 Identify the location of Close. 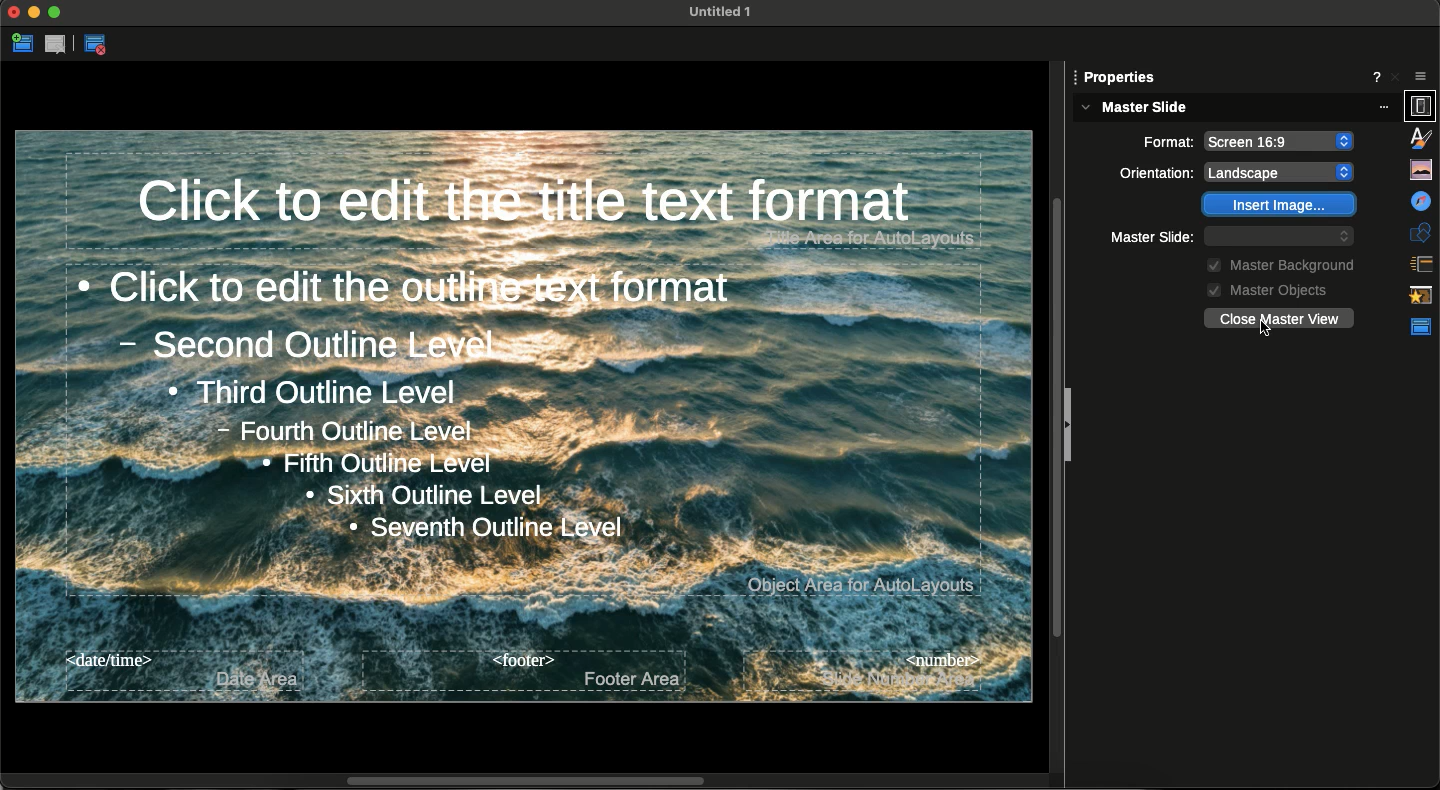
(14, 14).